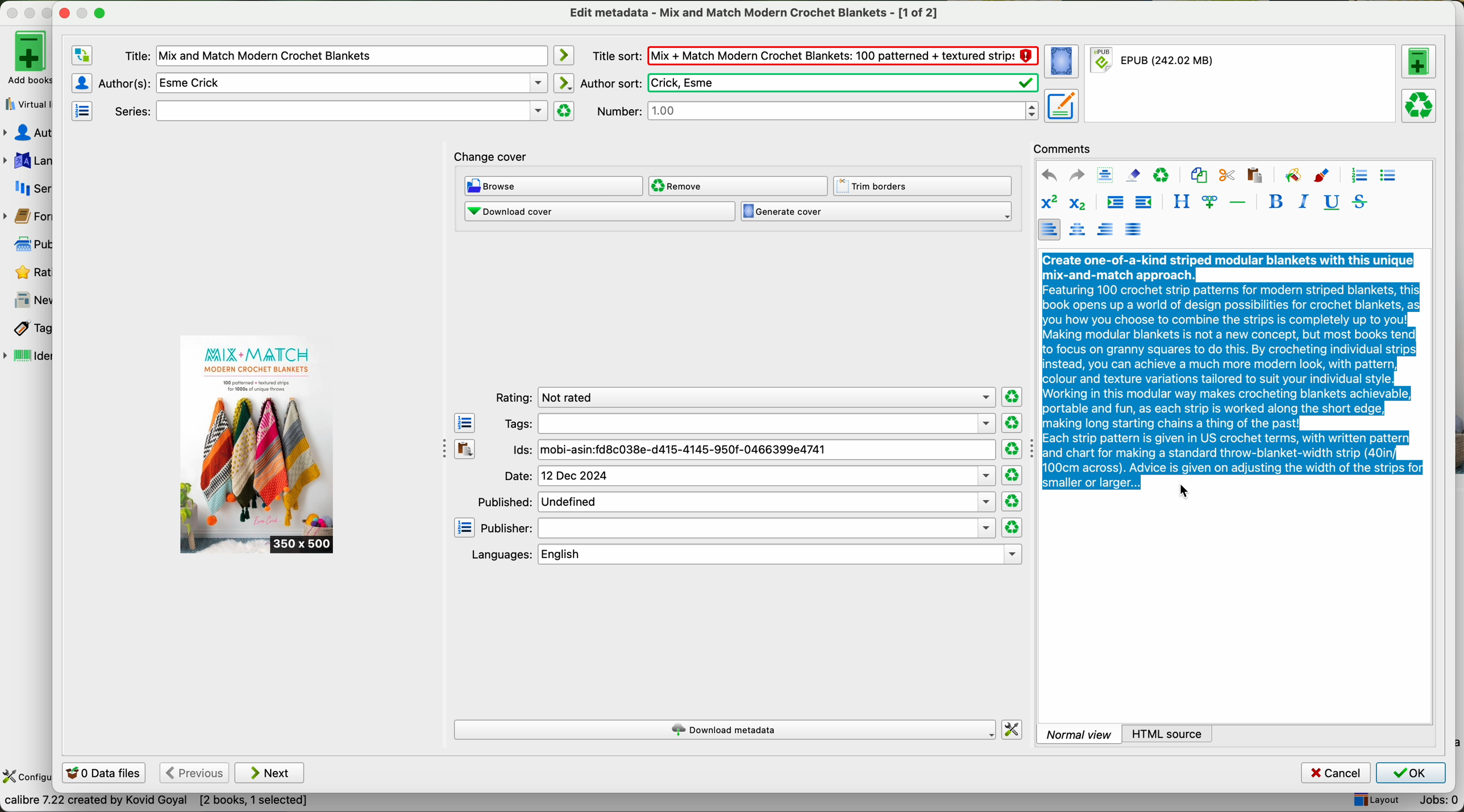  What do you see at coordinates (26, 216) in the screenshot?
I see `formats` at bounding box center [26, 216].